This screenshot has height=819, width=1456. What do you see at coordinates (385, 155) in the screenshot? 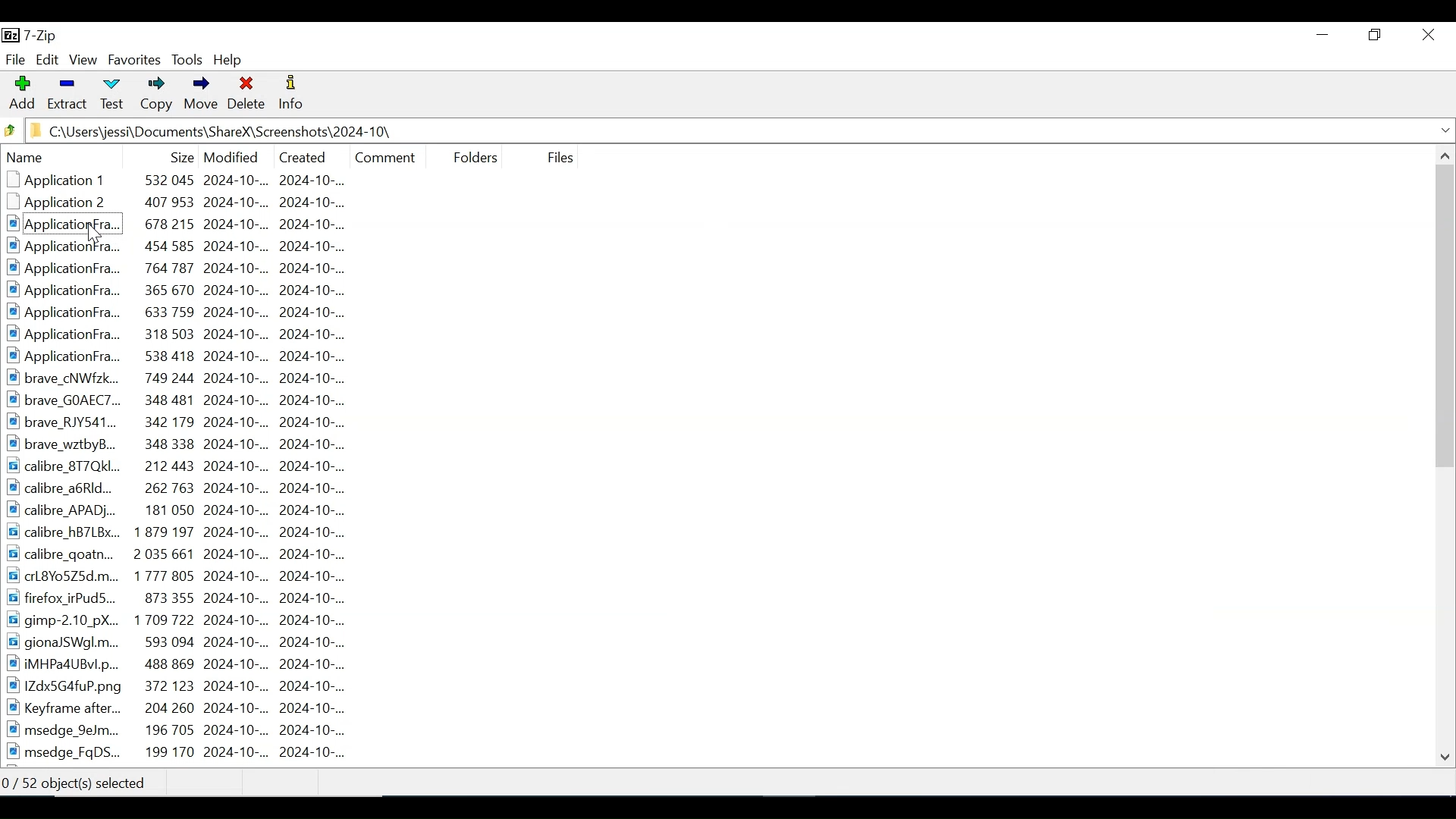
I see `Comment` at bounding box center [385, 155].